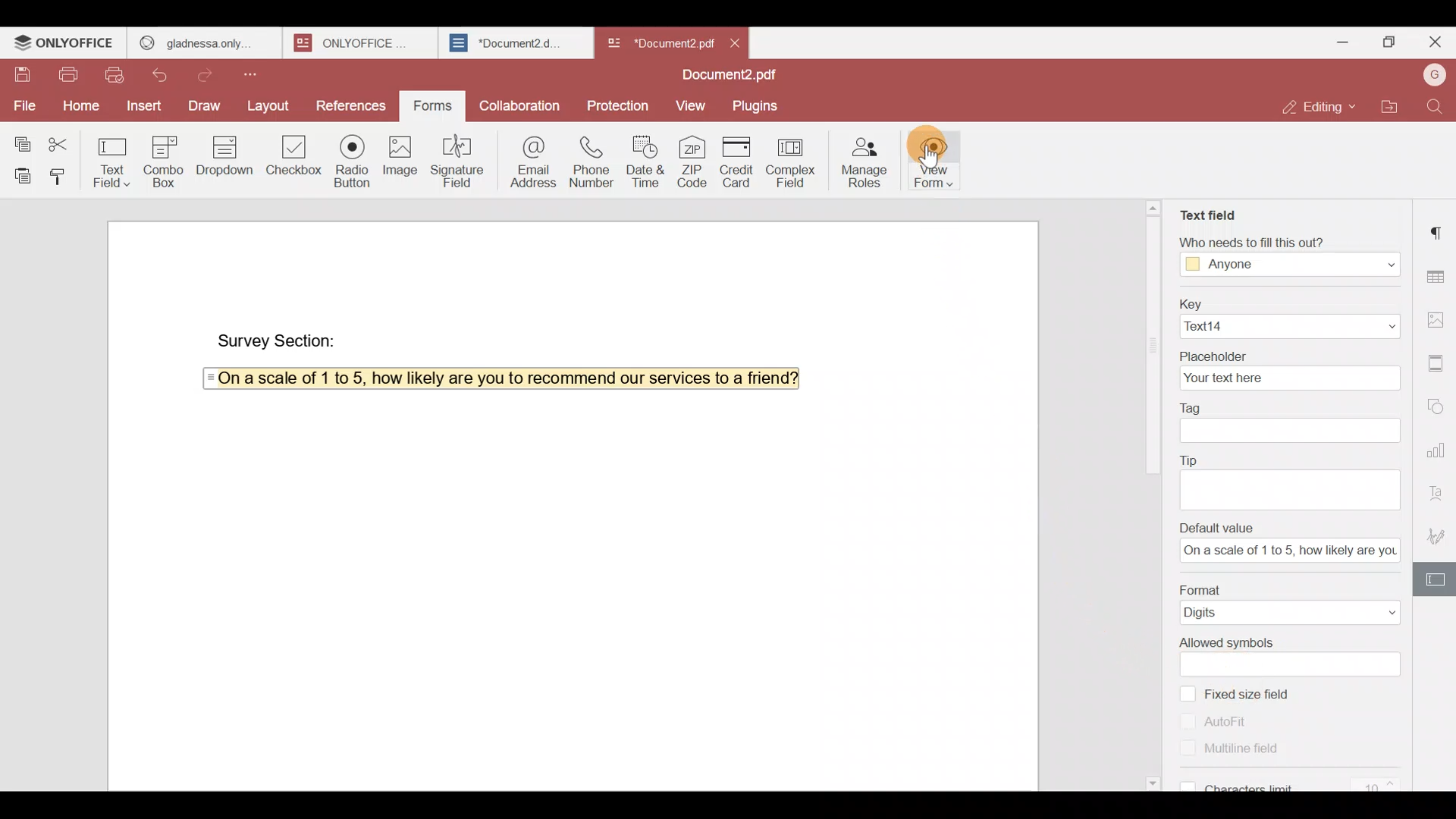 The height and width of the screenshot is (819, 1456). I want to click on Table settings, so click(1439, 275).